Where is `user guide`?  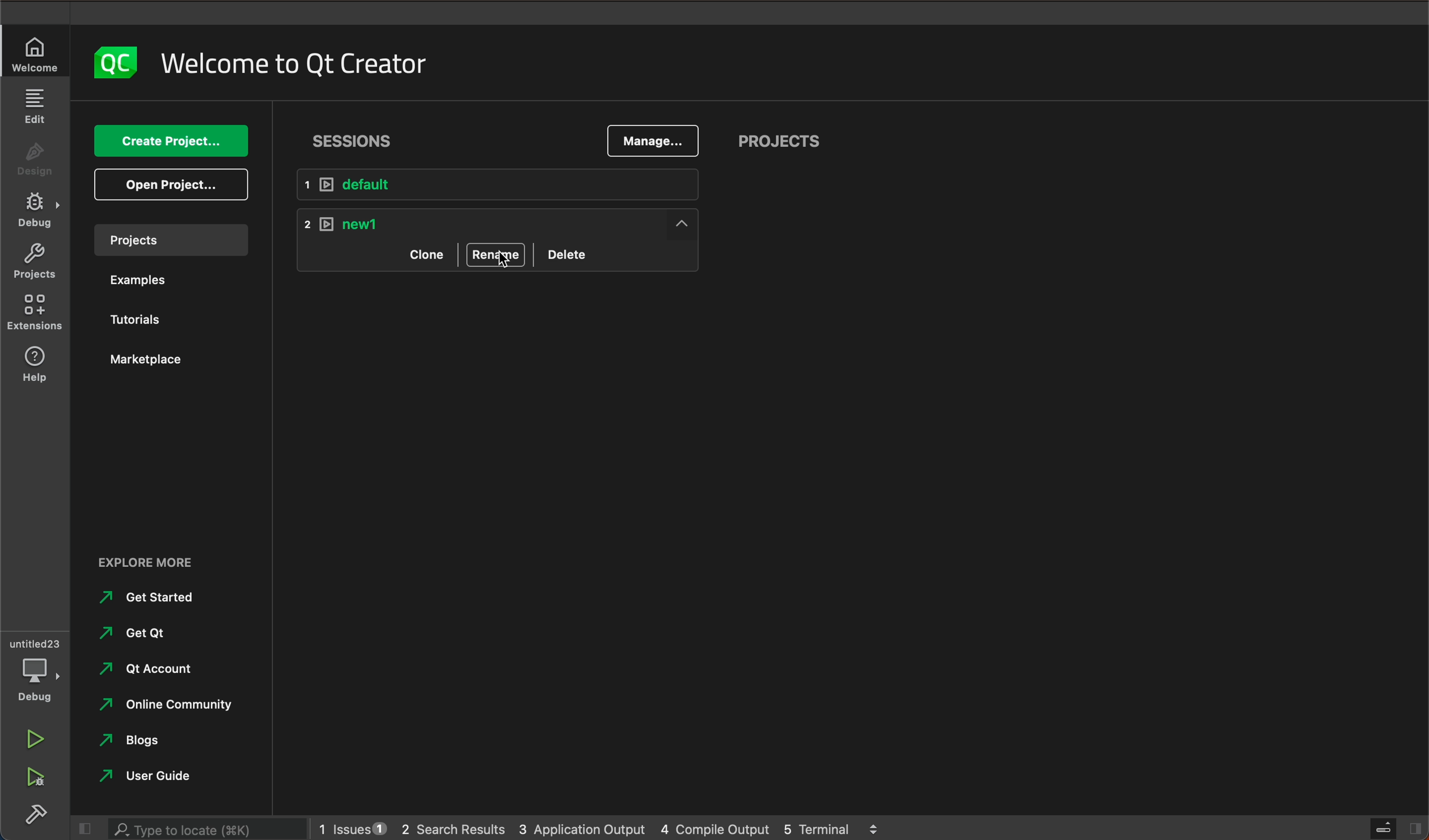 user guide is located at coordinates (158, 777).